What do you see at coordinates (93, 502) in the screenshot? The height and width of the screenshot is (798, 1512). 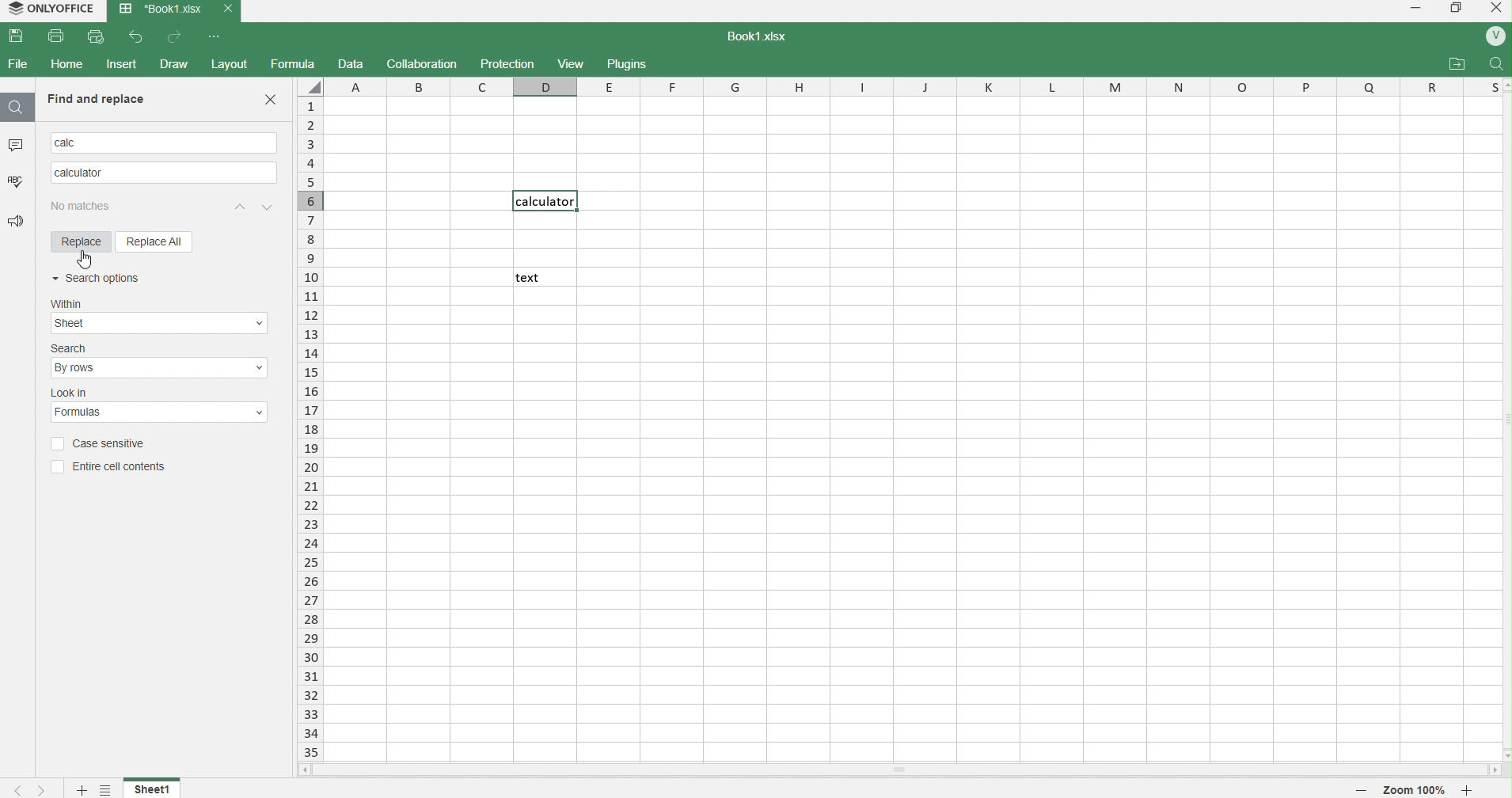 I see `Name` at bounding box center [93, 502].